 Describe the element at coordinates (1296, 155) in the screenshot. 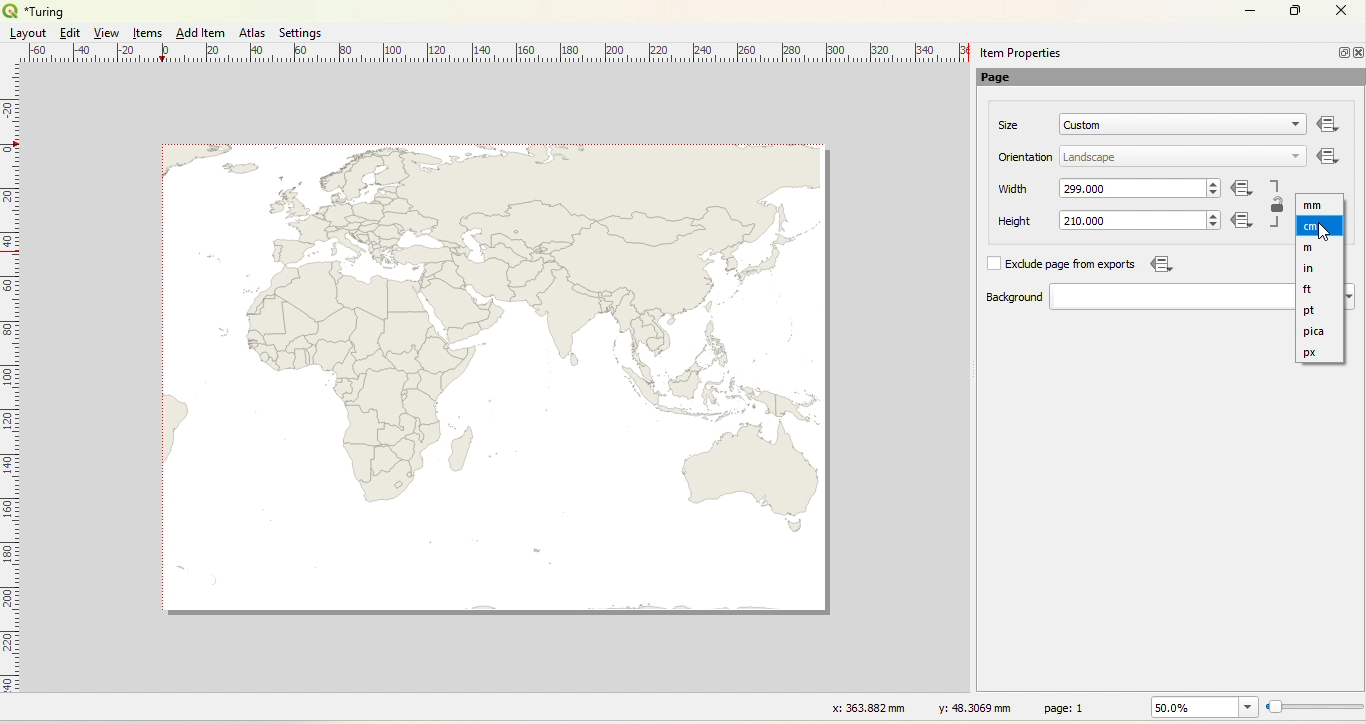

I see `dropdown` at that location.